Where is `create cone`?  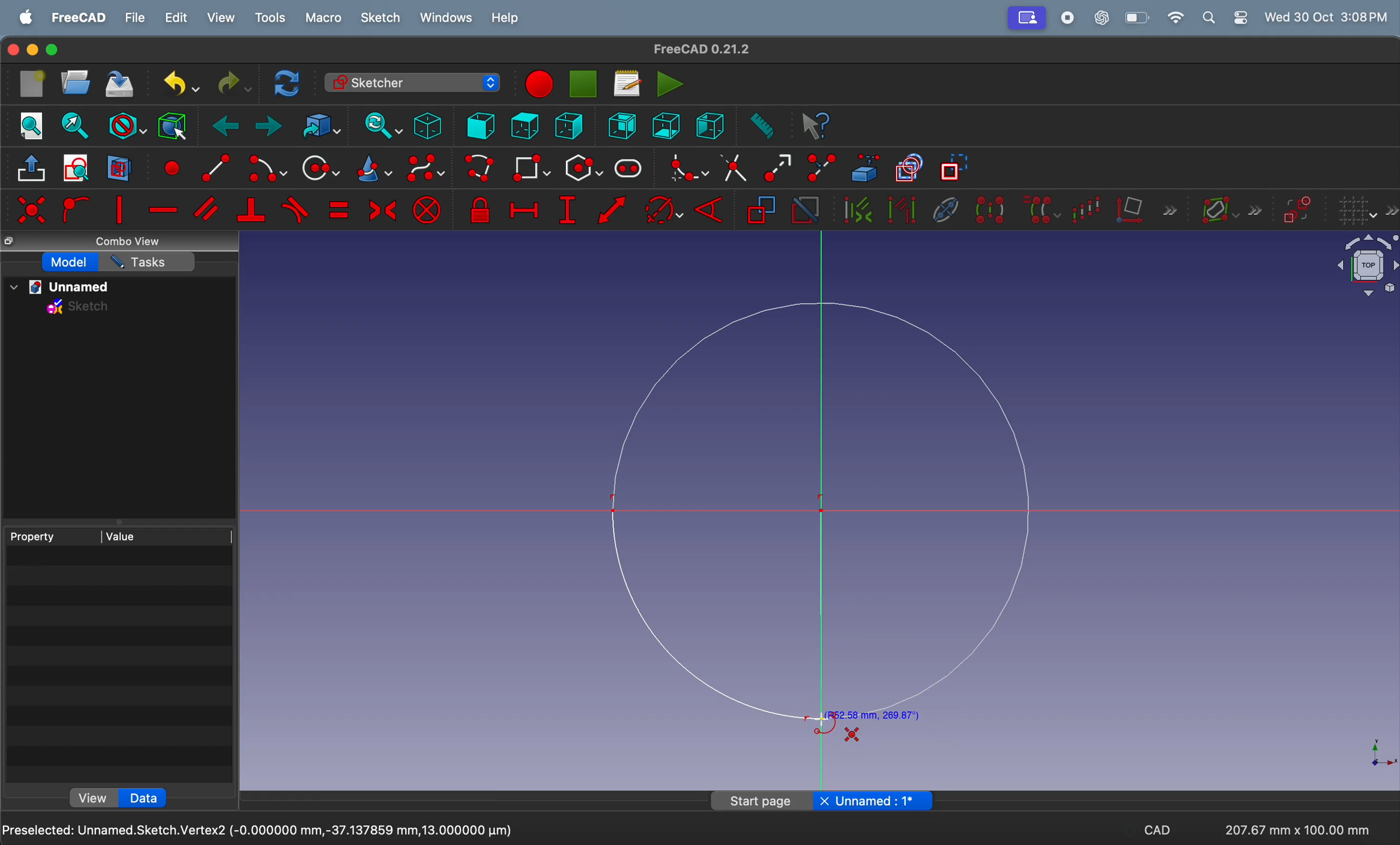
create cone is located at coordinates (372, 170).